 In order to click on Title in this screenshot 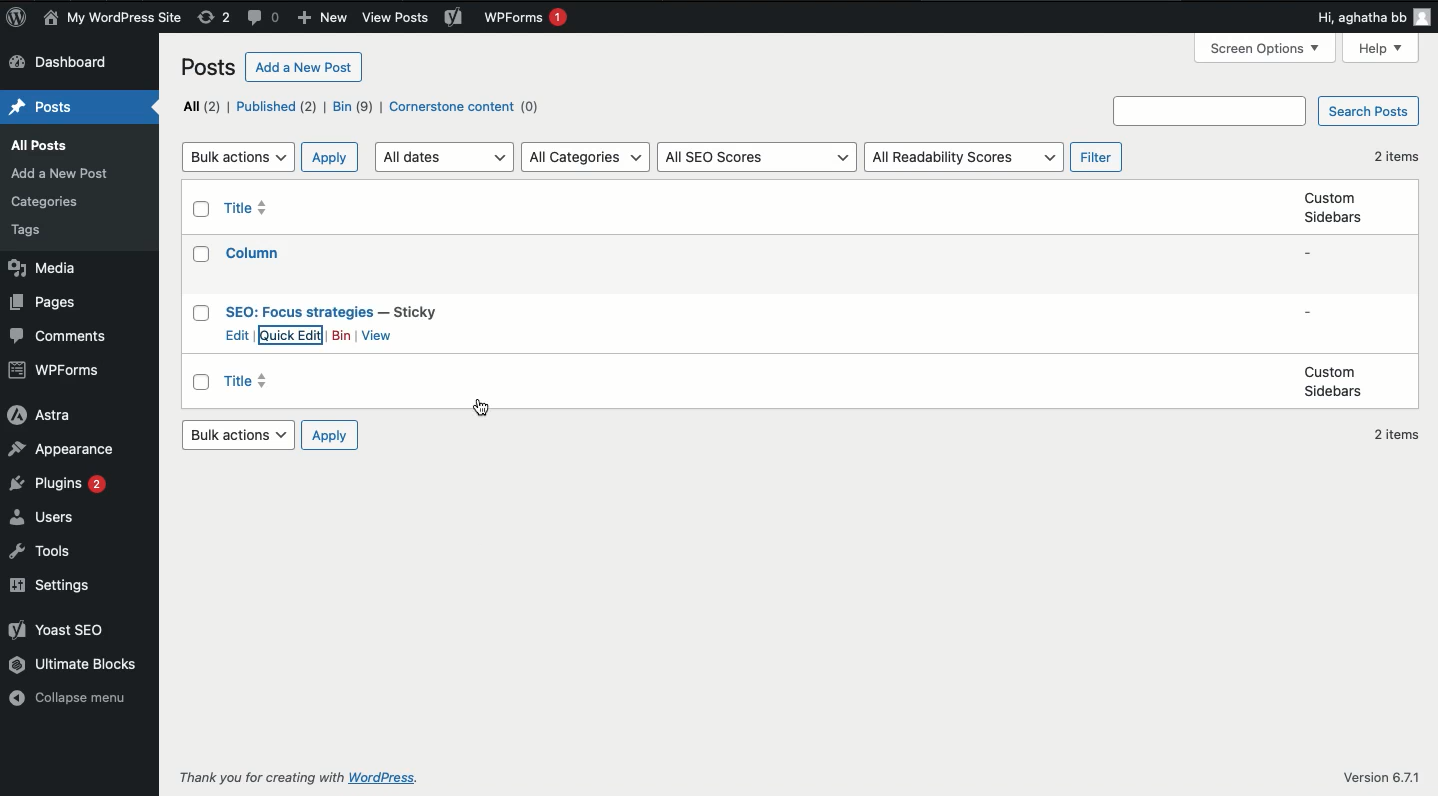, I will do `click(256, 252)`.